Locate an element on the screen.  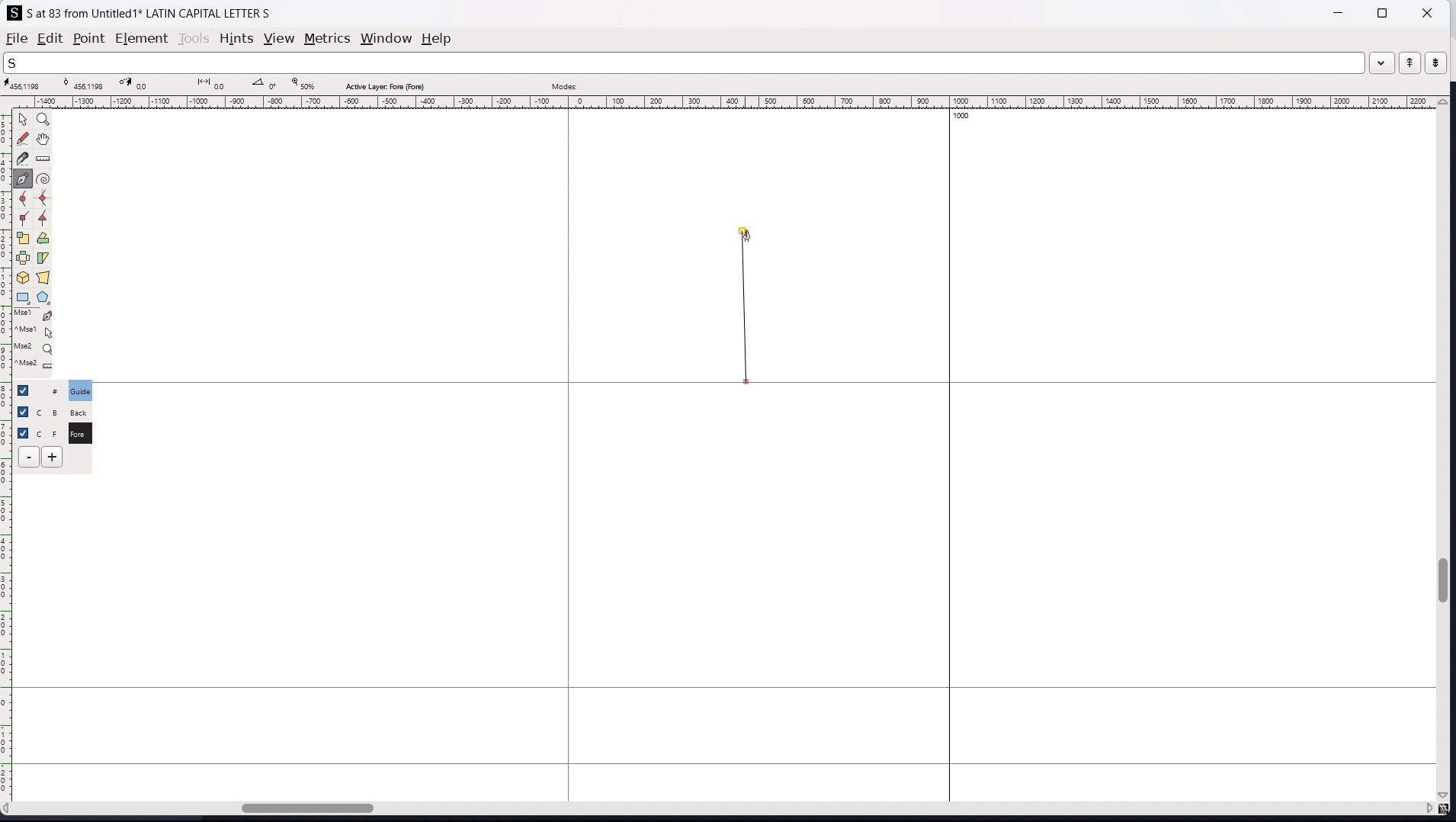
element is located at coordinates (143, 39).